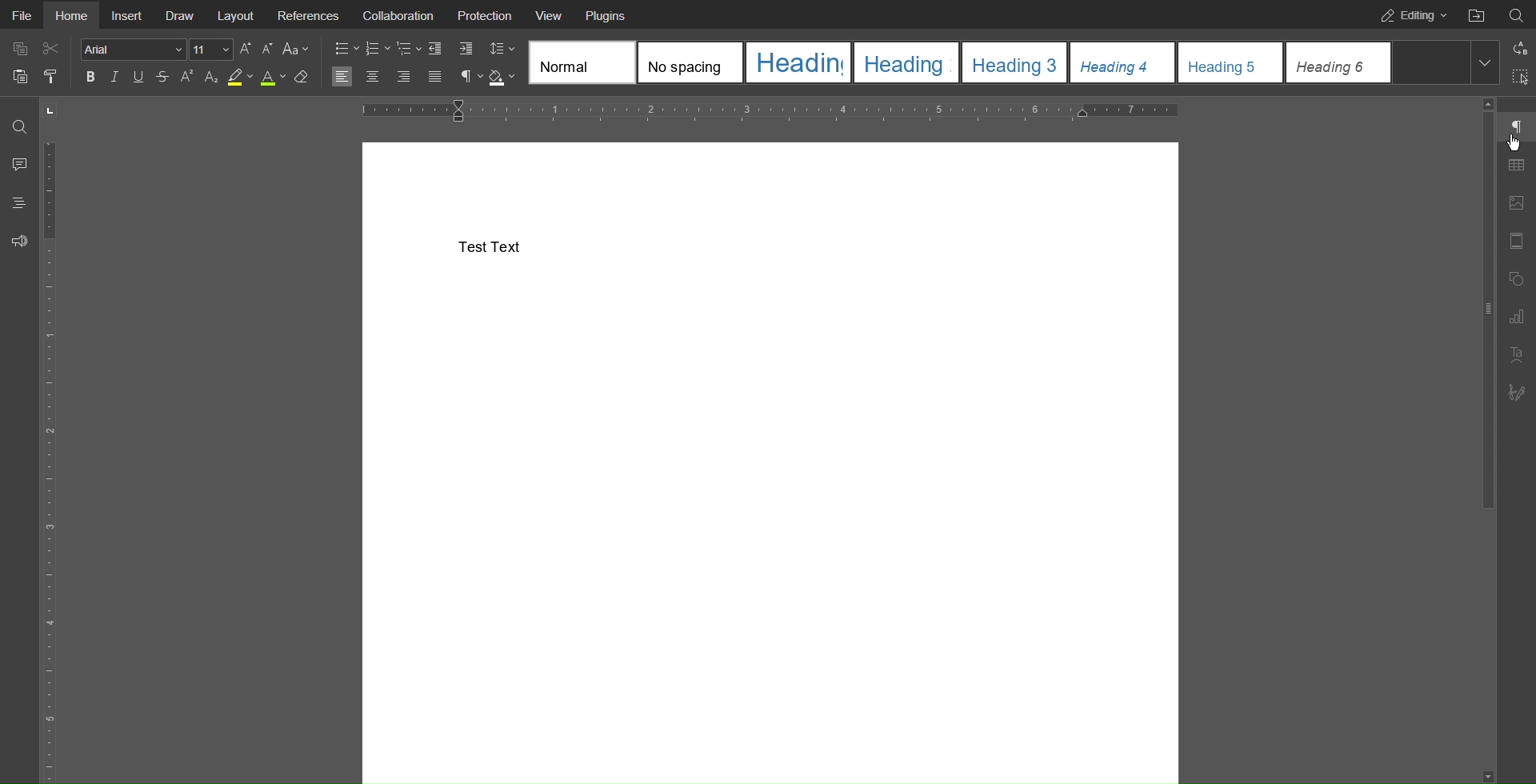  I want to click on Text Color, so click(273, 78).